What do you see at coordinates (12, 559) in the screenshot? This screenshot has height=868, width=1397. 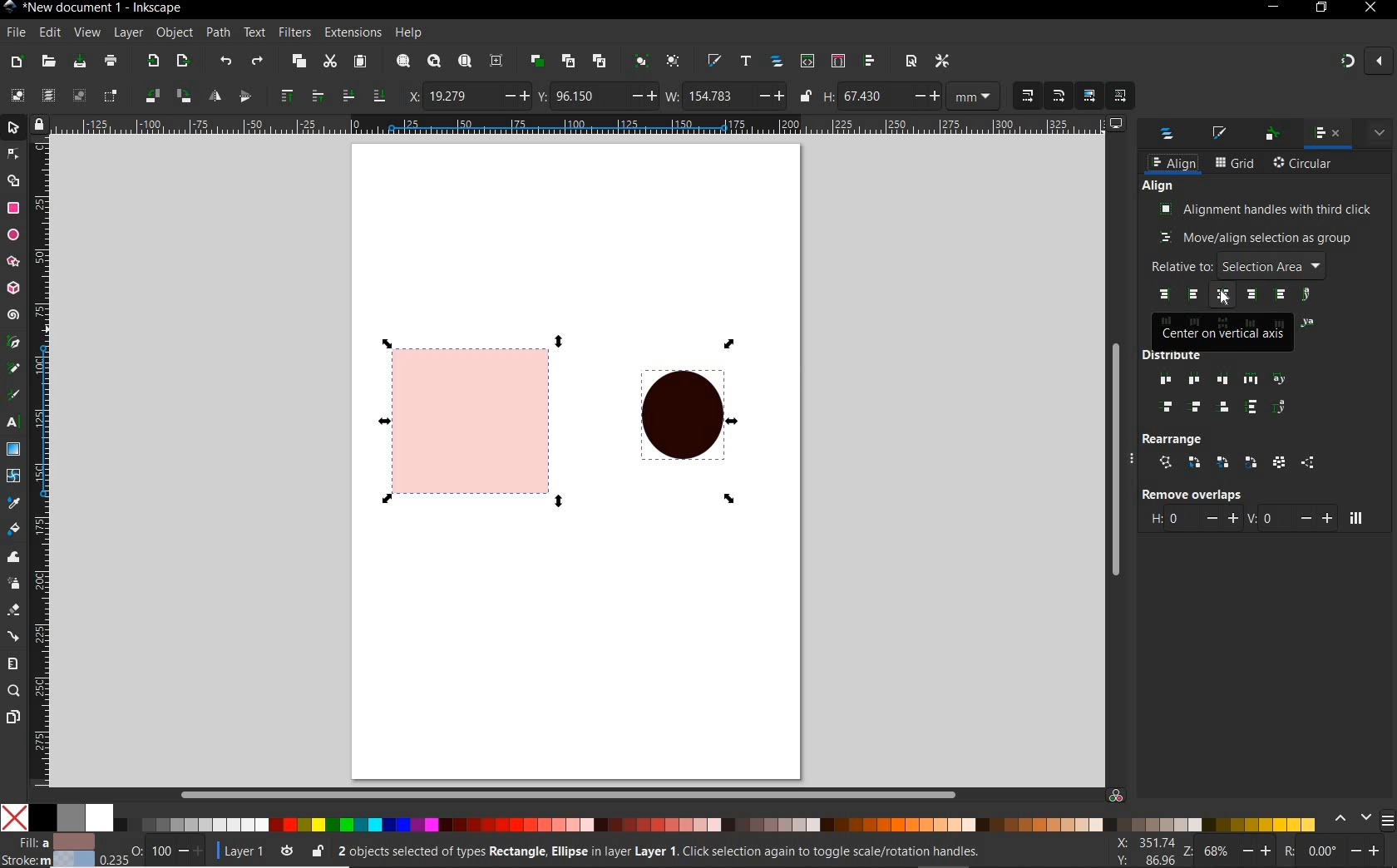 I see `tweak tool` at bounding box center [12, 559].